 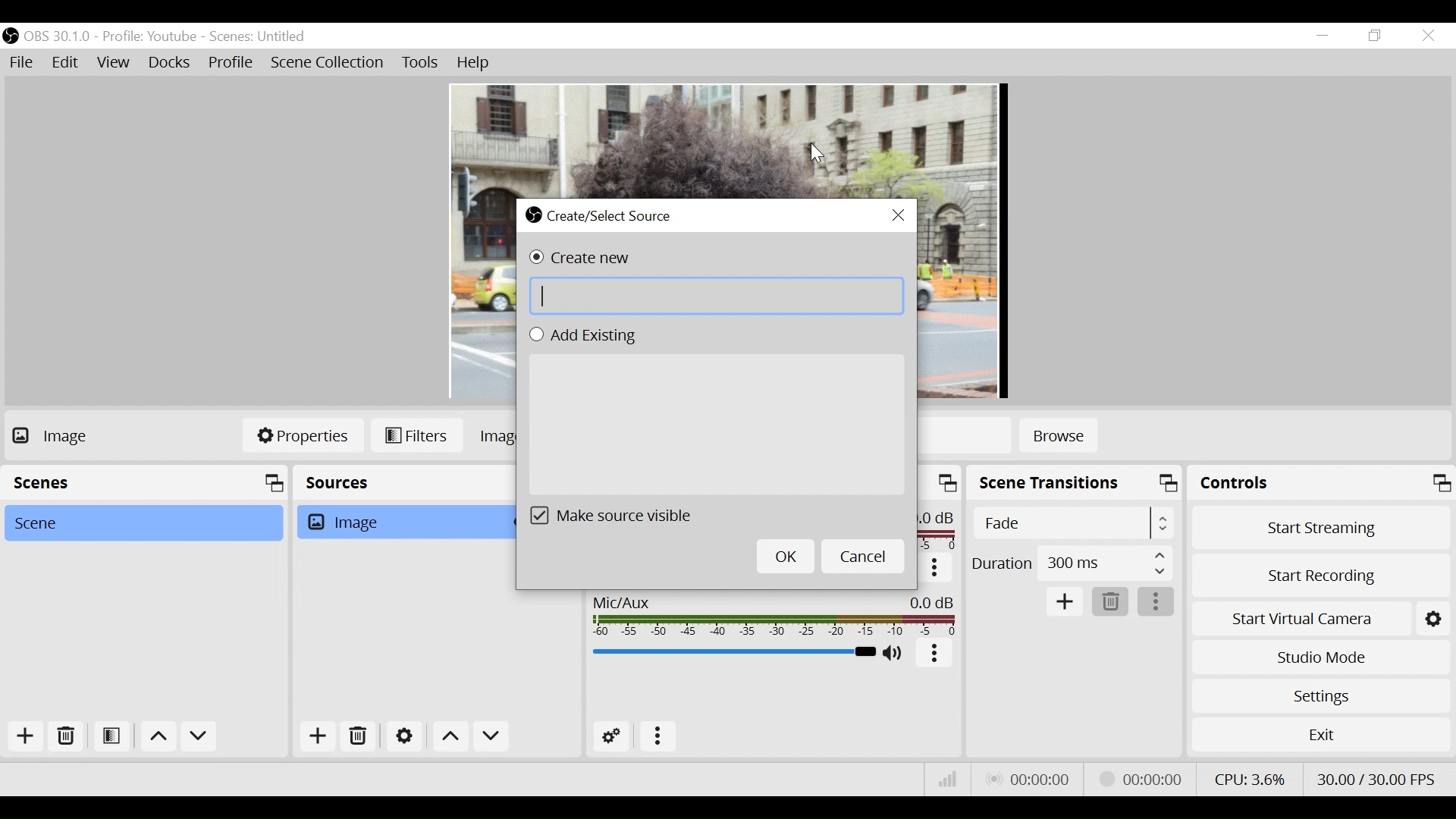 I want to click on Close, so click(x=899, y=216).